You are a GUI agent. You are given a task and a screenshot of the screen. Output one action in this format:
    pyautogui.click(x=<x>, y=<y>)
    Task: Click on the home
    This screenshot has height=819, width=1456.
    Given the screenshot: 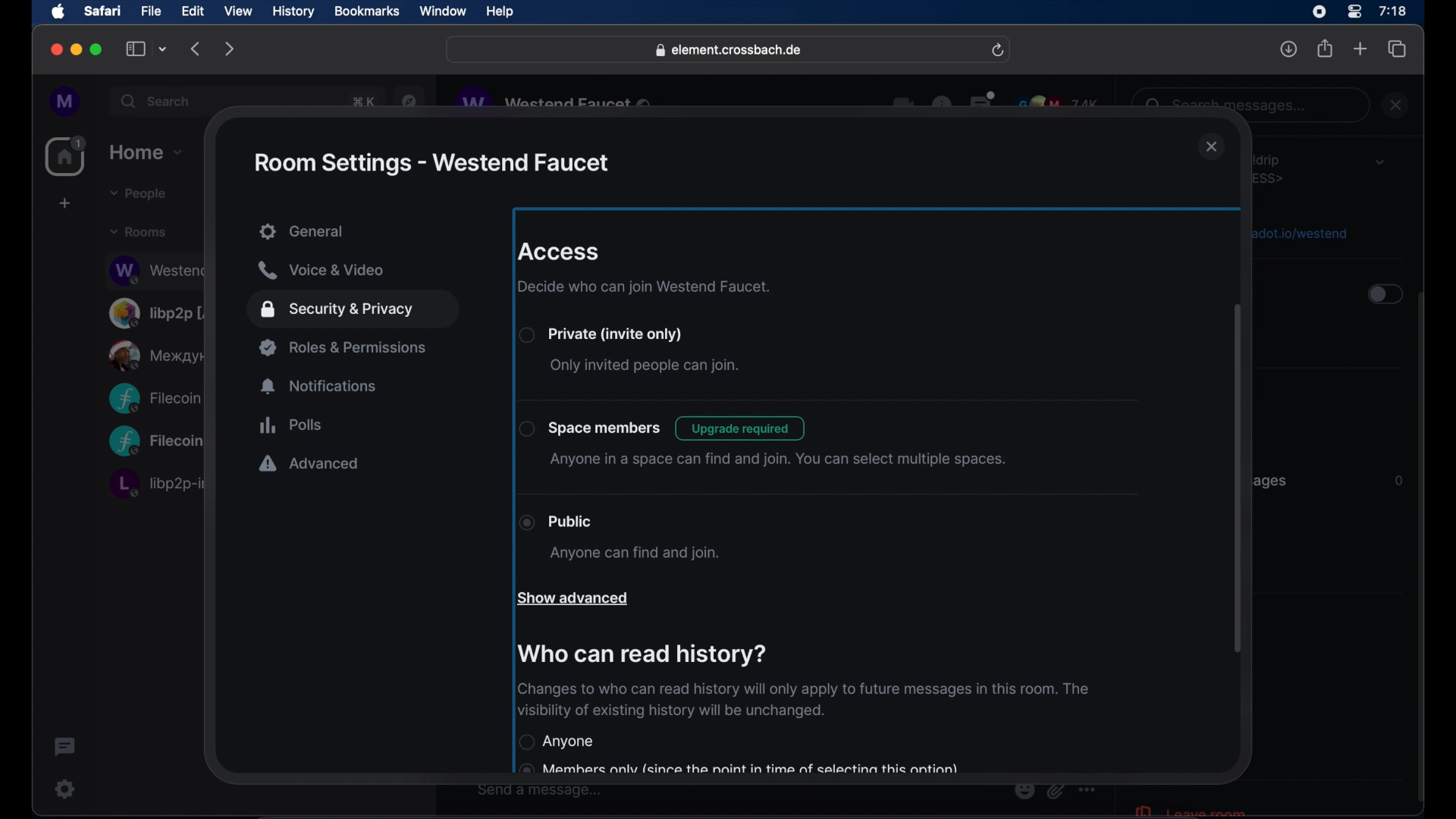 What is the action you would take?
    pyautogui.click(x=67, y=156)
    